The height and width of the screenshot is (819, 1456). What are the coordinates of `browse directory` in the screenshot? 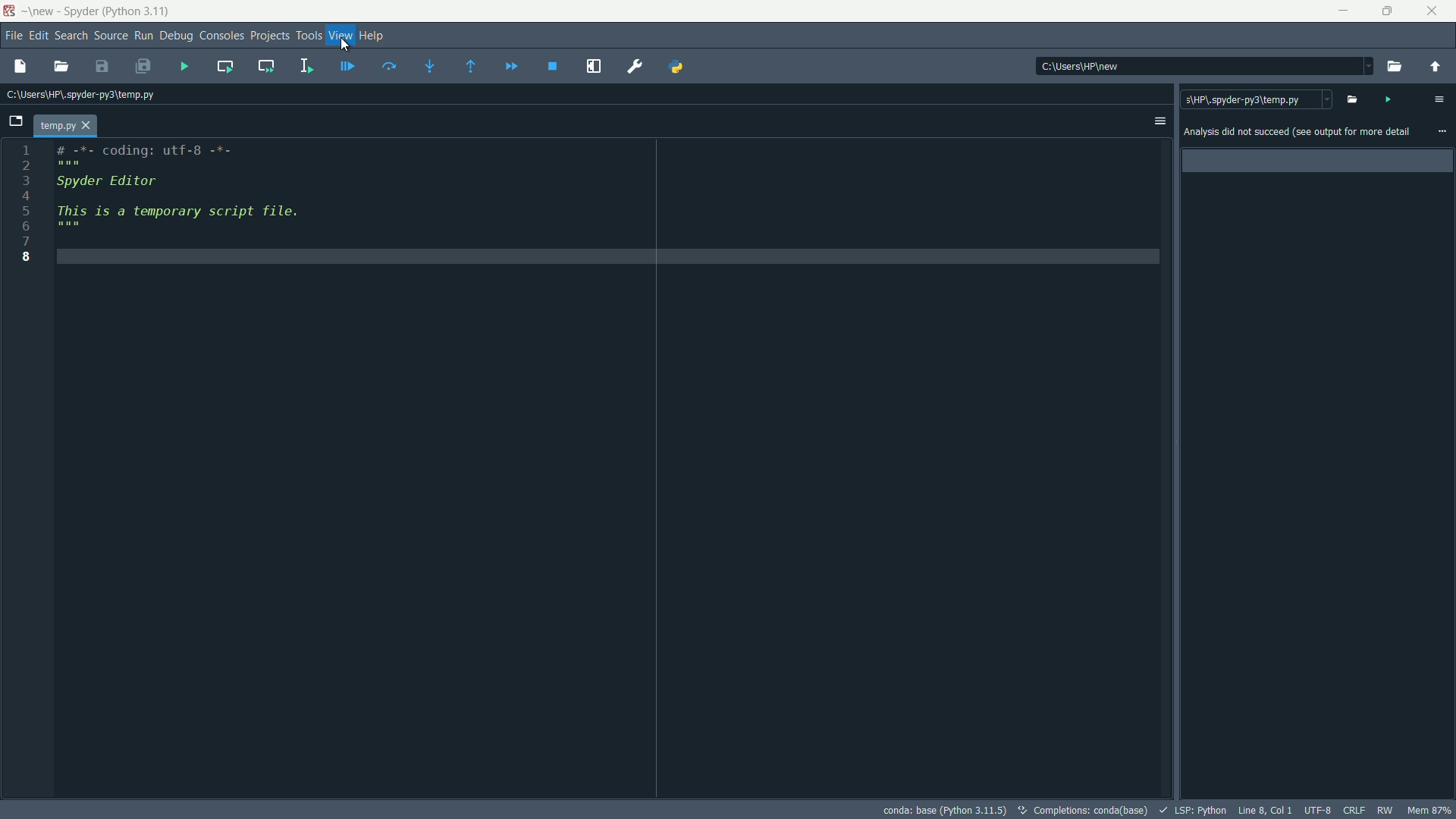 It's located at (1396, 67).